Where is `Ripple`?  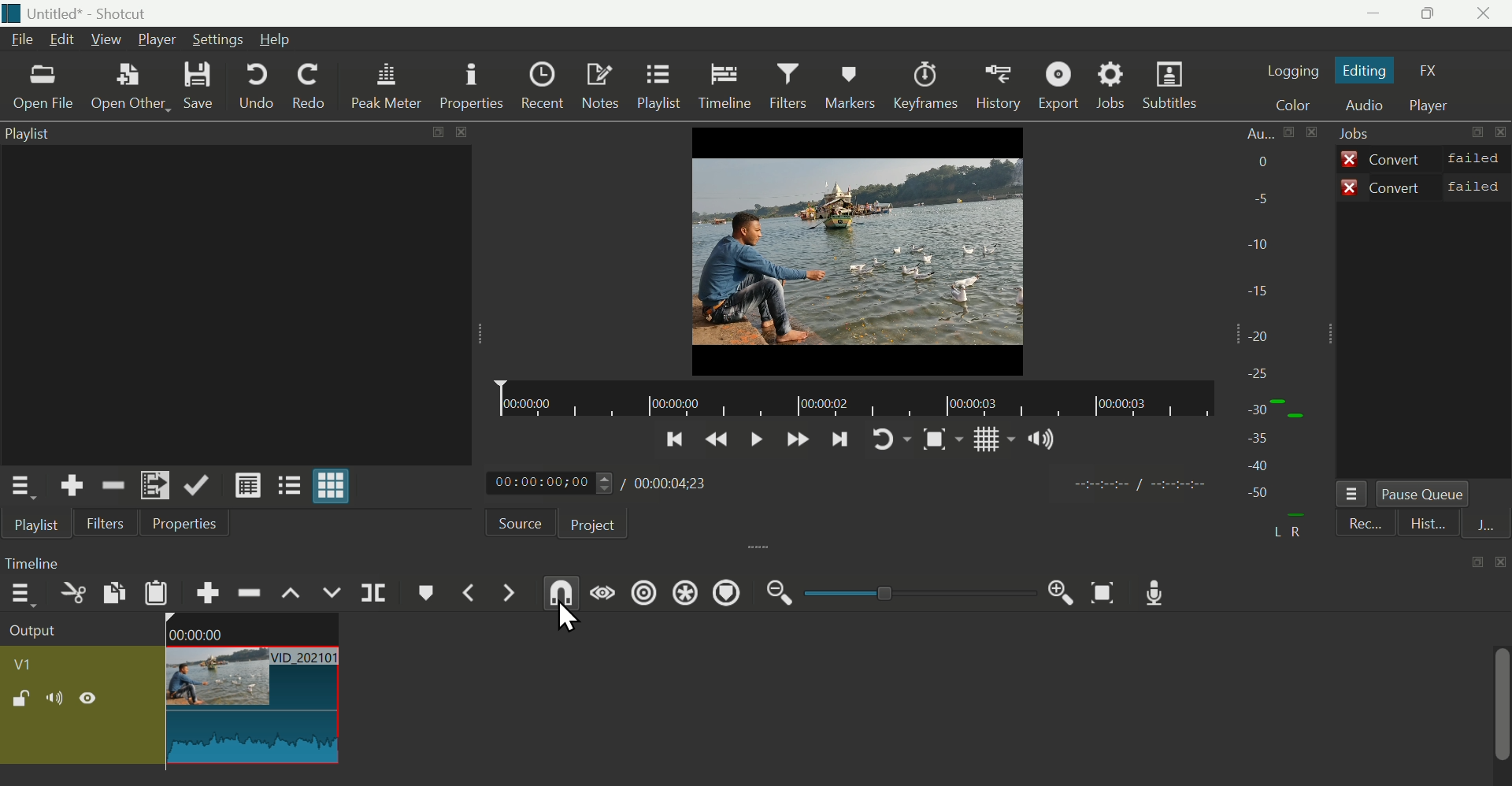 Ripple is located at coordinates (250, 593).